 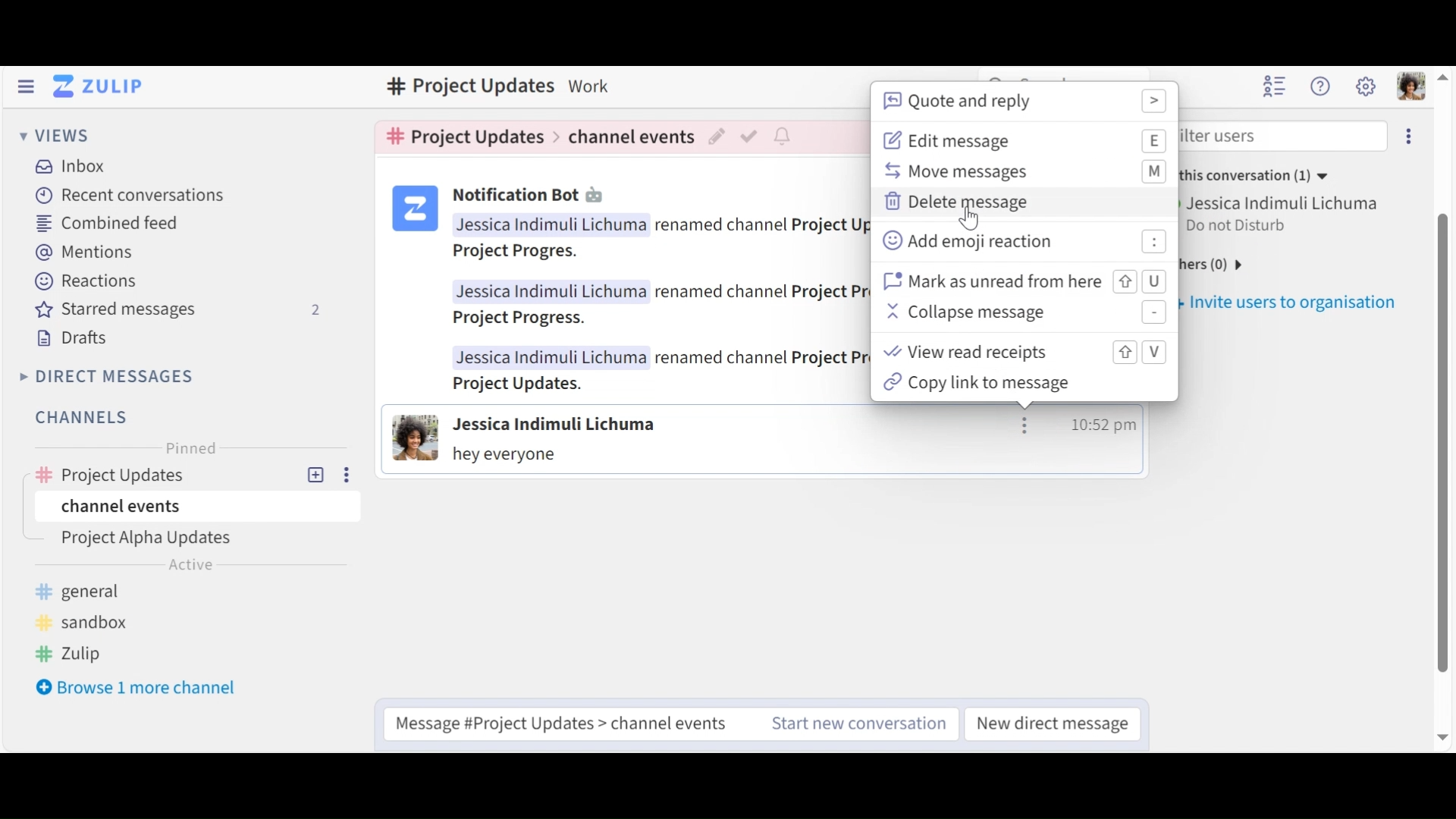 I want to click on Move message, so click(x=1023, y=173).